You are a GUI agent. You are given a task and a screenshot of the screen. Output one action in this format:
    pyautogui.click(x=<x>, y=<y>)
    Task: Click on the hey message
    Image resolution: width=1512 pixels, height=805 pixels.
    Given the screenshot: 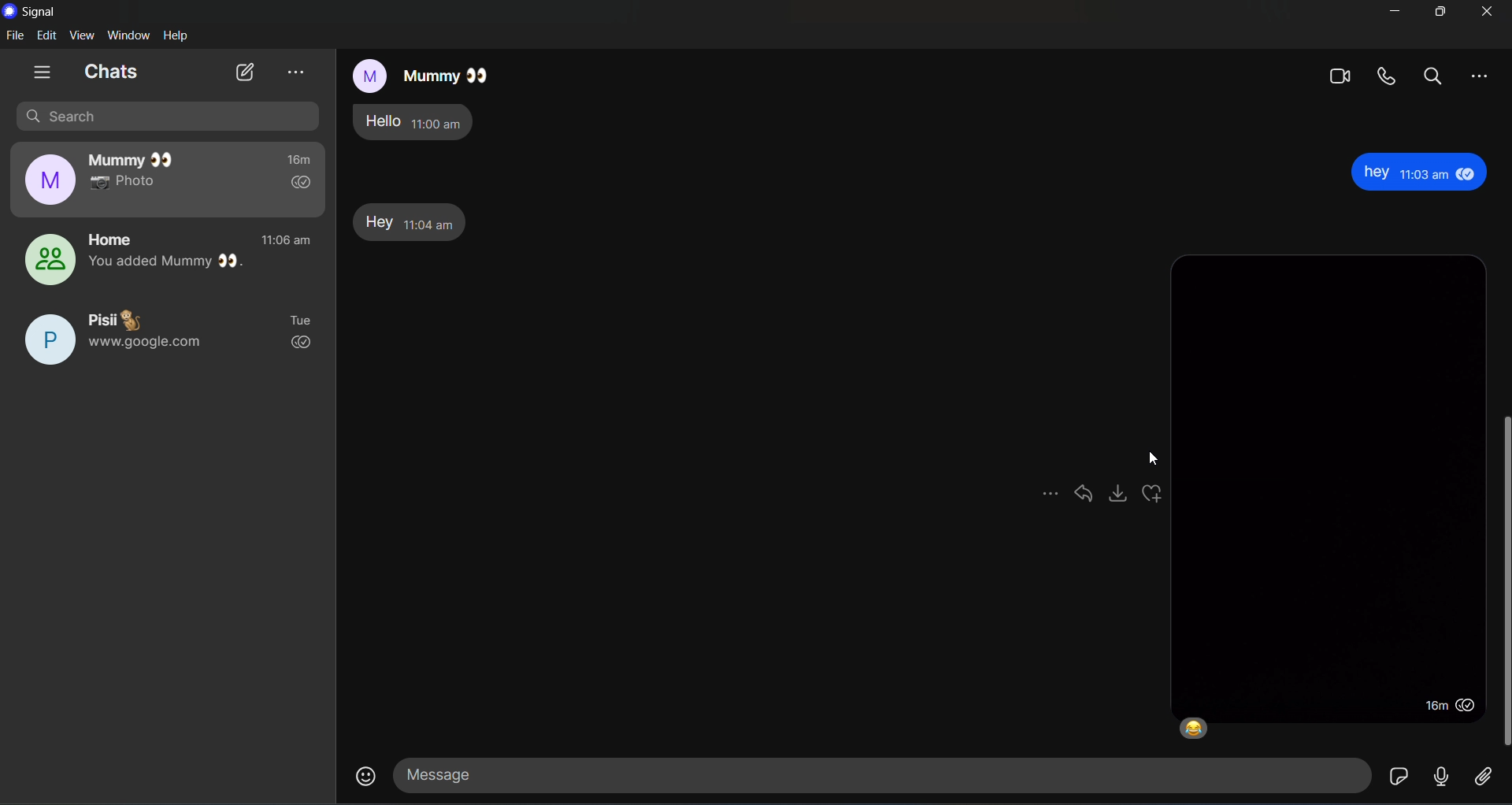 What is the action you would take?
    pyautogui.click(x=409, y=221)
    